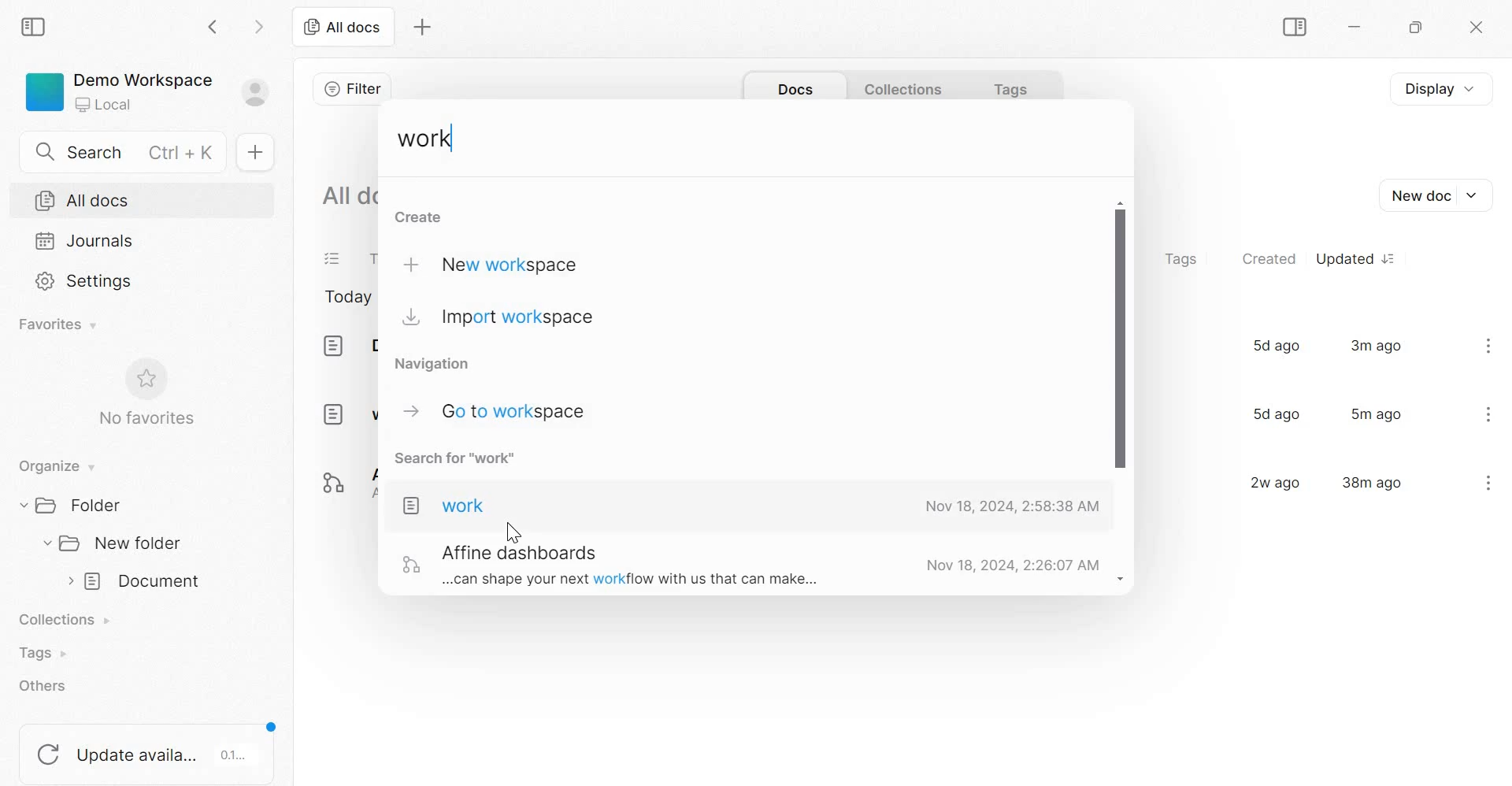  I want to click on go back, so click(214, 25).